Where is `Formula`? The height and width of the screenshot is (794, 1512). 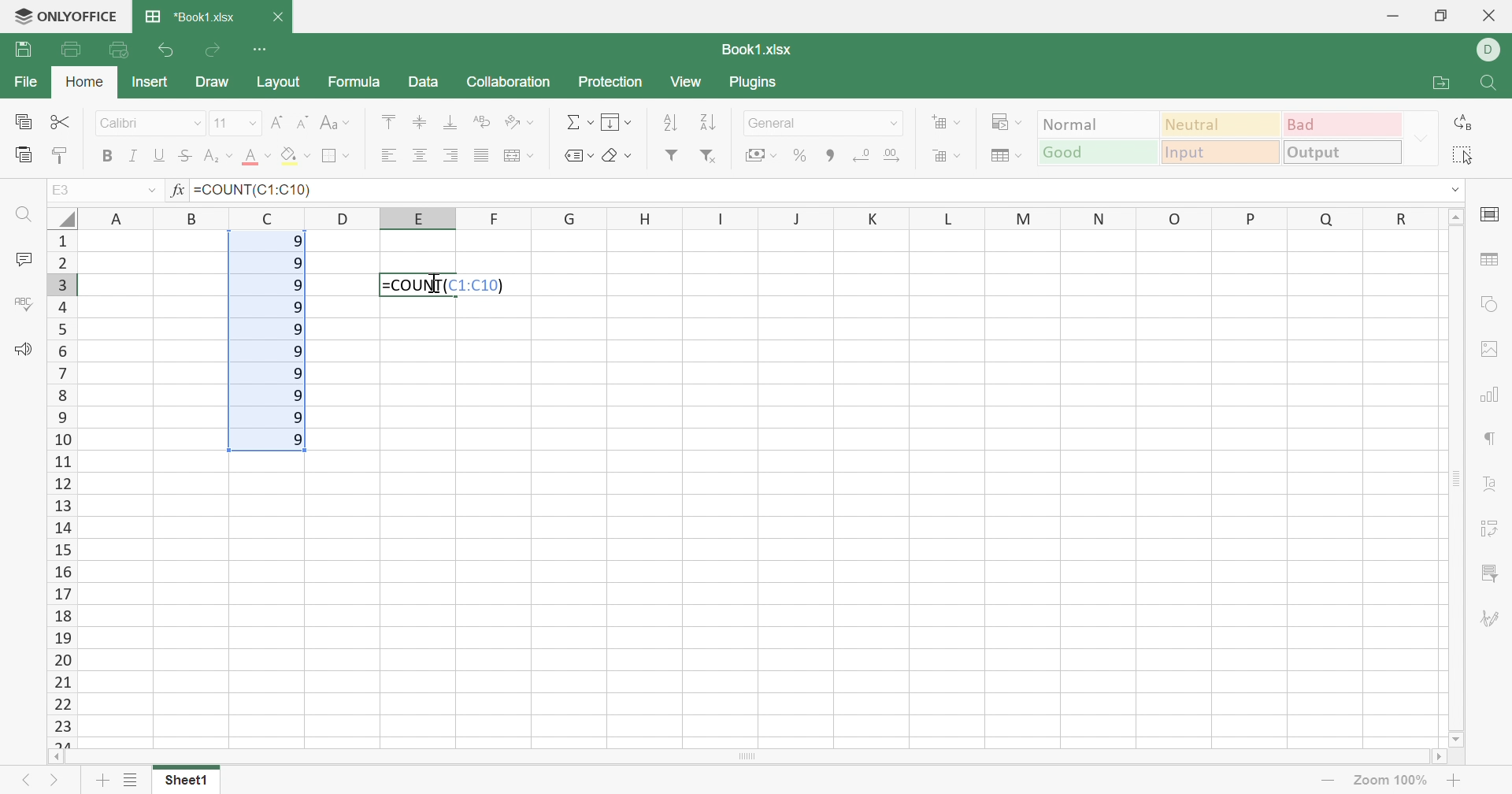 Formula is located at coordinates (358, 86).